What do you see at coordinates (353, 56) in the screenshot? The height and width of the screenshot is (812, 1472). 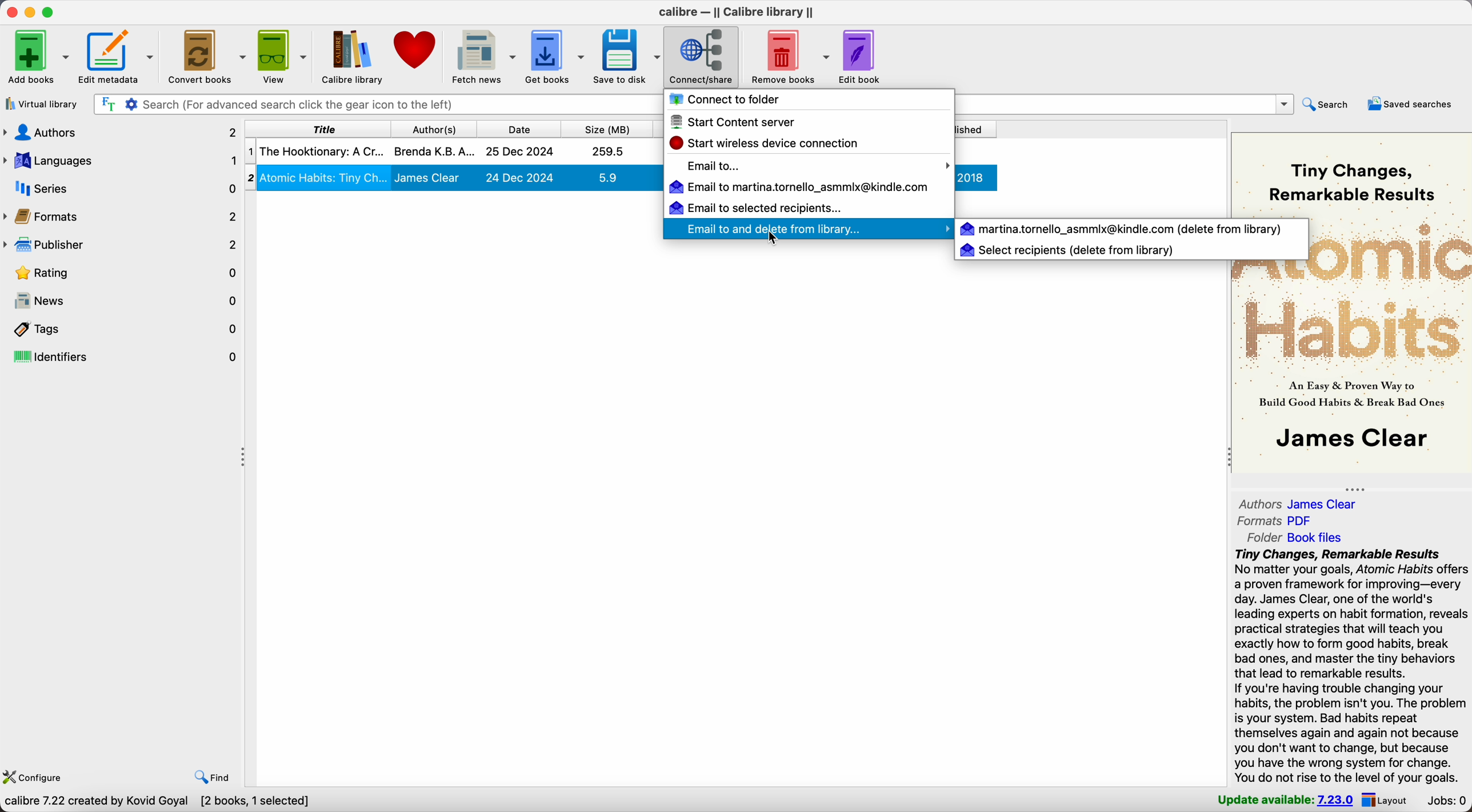 I see `Calibre library` at bounding box center [353, 56].